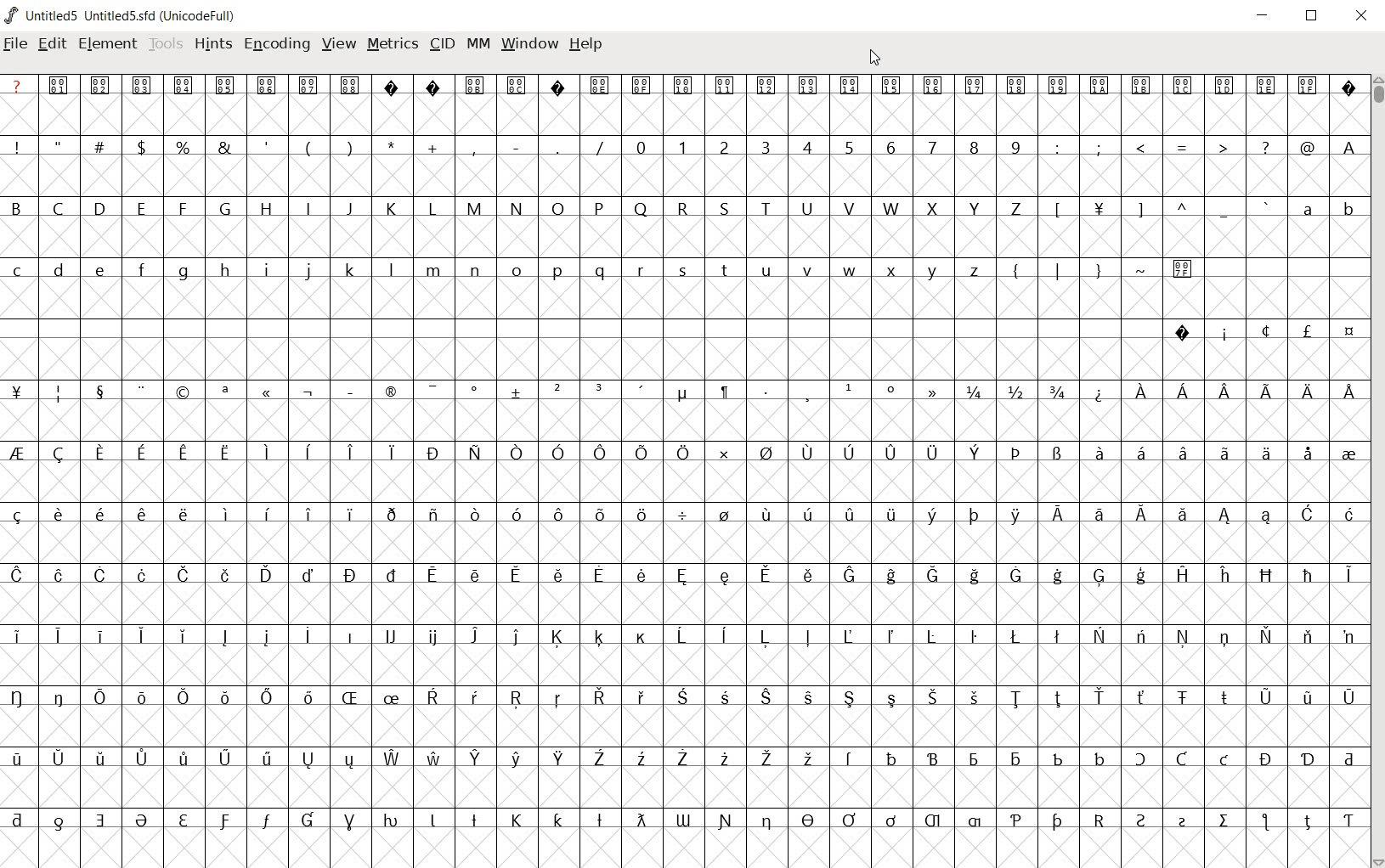 This screenshot has width=1385, height=868. Describe the element at coordinates (140, 696) in the screenshot. I see `Symbol` at that location.